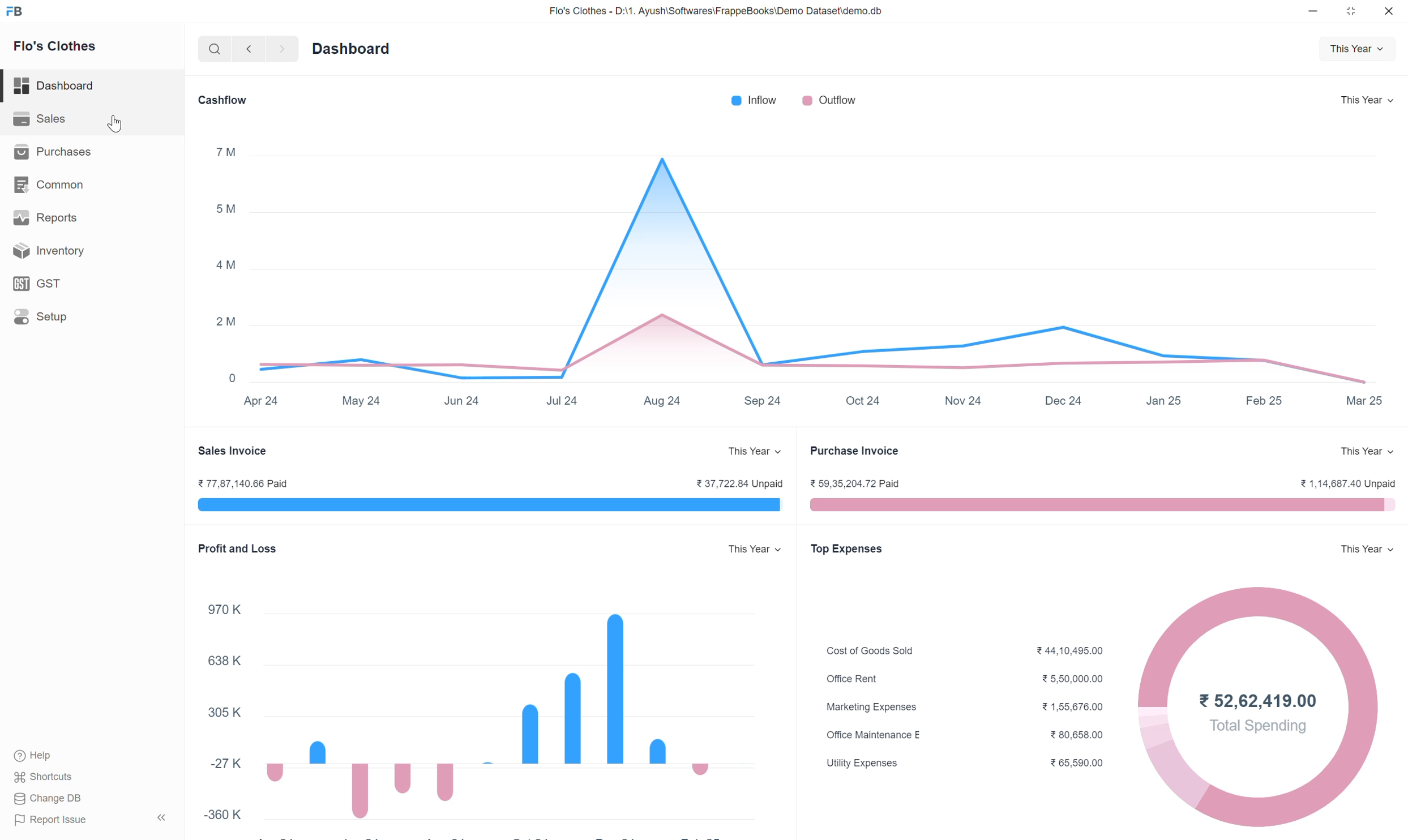 The width and height of the screenshot is (1408, 840). What do you see at coordinates (37, 283) in the screenshot?
I see `GST` at bounding box center [37, 283].